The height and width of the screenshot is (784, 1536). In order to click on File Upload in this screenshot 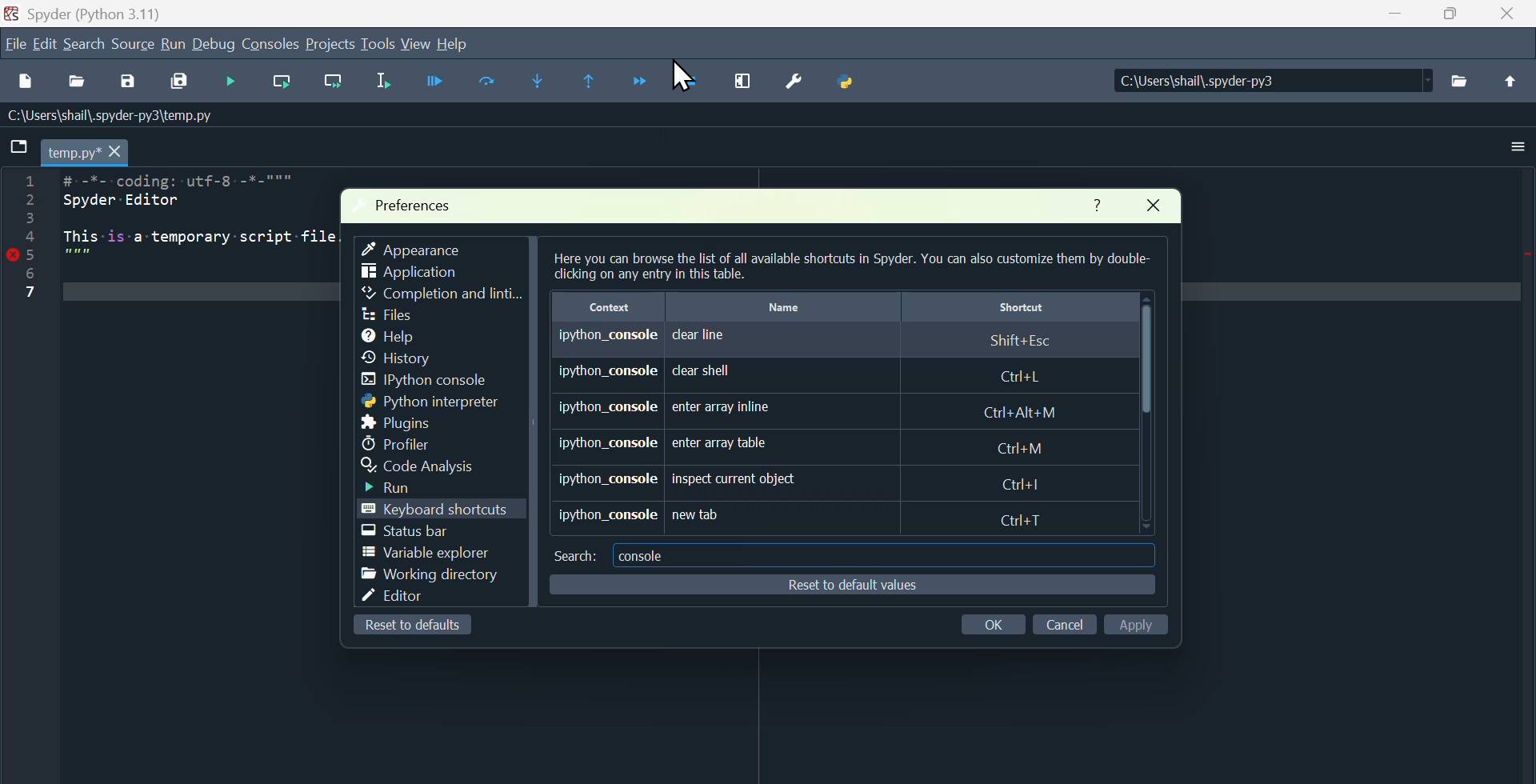, I will do `click(1510, 90)`.